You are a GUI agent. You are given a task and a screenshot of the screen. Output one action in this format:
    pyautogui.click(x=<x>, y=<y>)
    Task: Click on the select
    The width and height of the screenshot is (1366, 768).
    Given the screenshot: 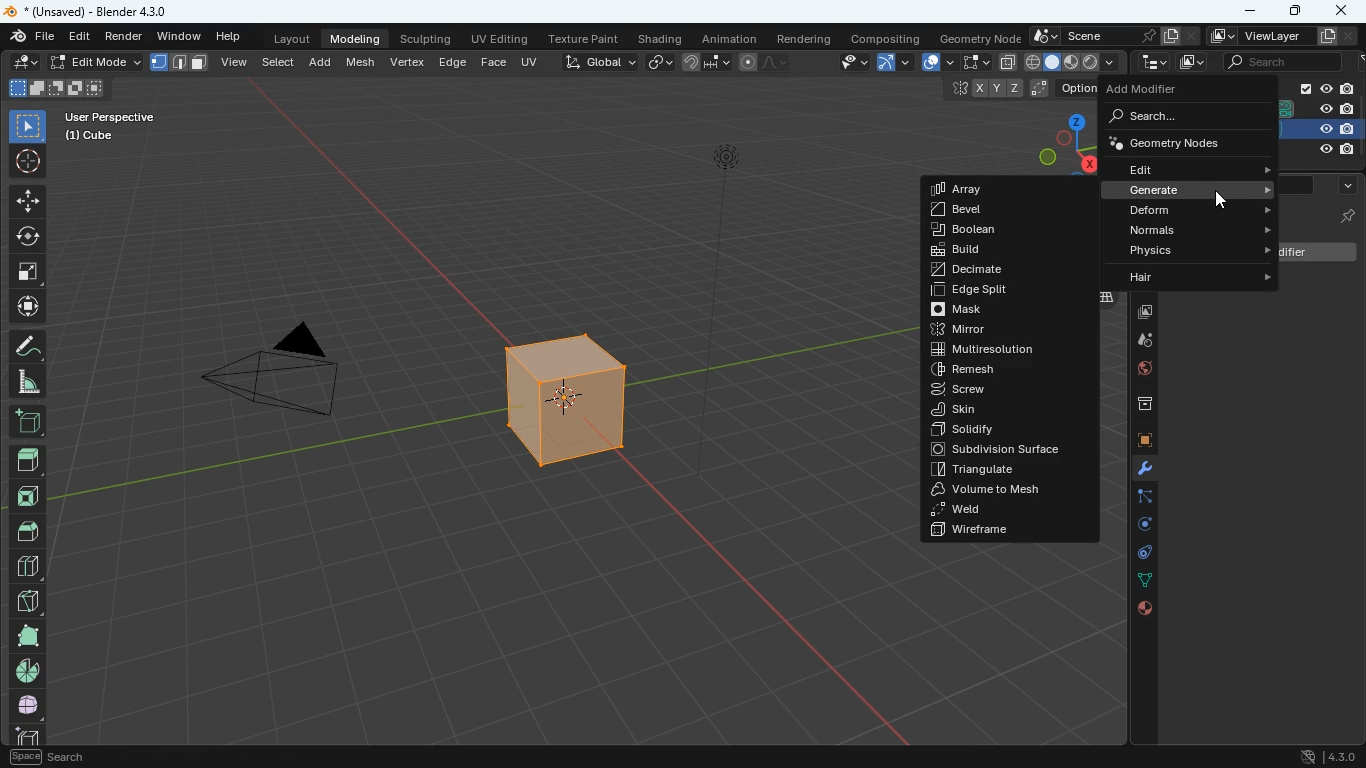 What is the action you would take?
    pyautogui.click(x=28, y=127)
    